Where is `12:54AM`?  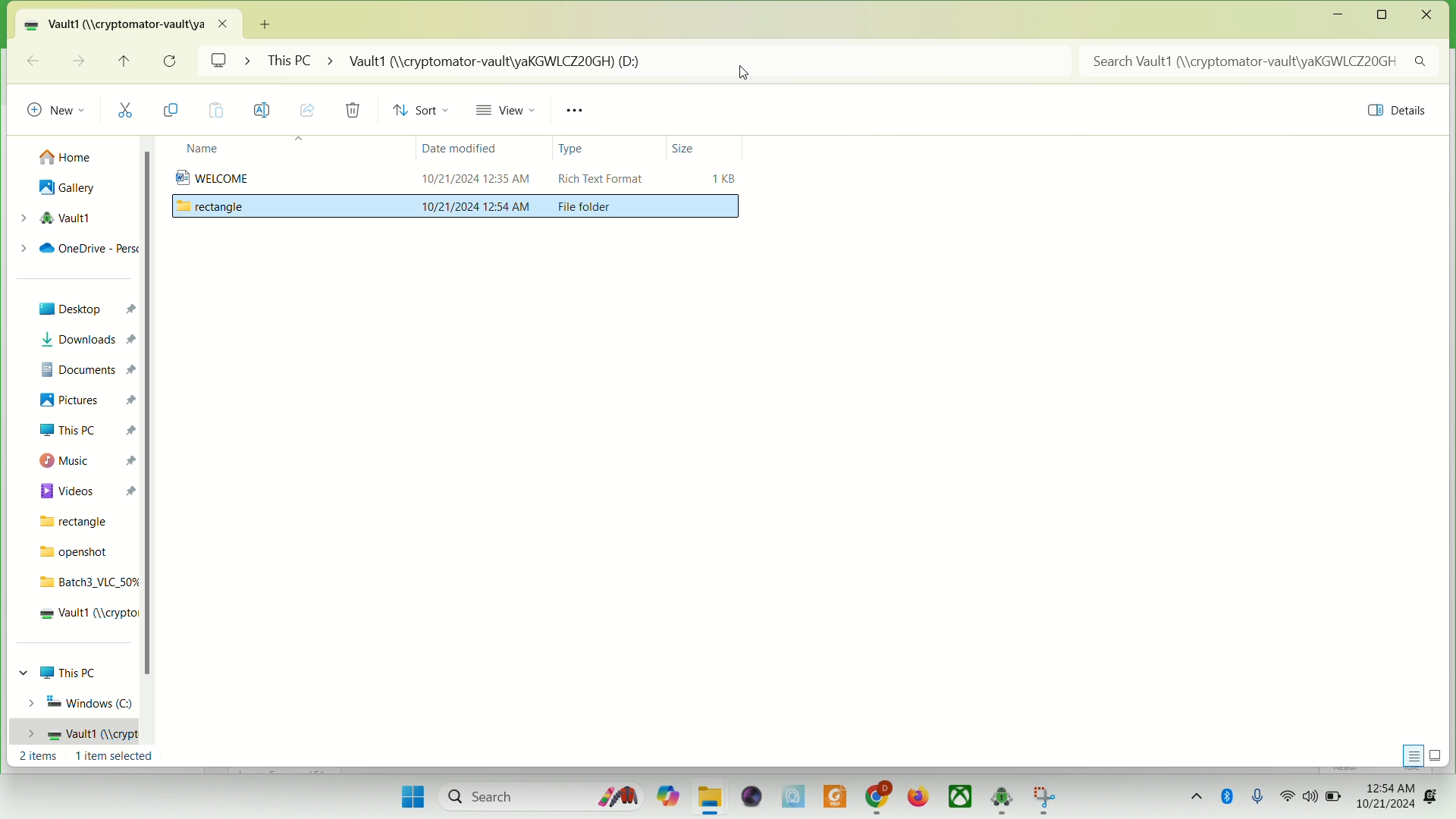 12:54AM is located at coordinates (1385, 786).